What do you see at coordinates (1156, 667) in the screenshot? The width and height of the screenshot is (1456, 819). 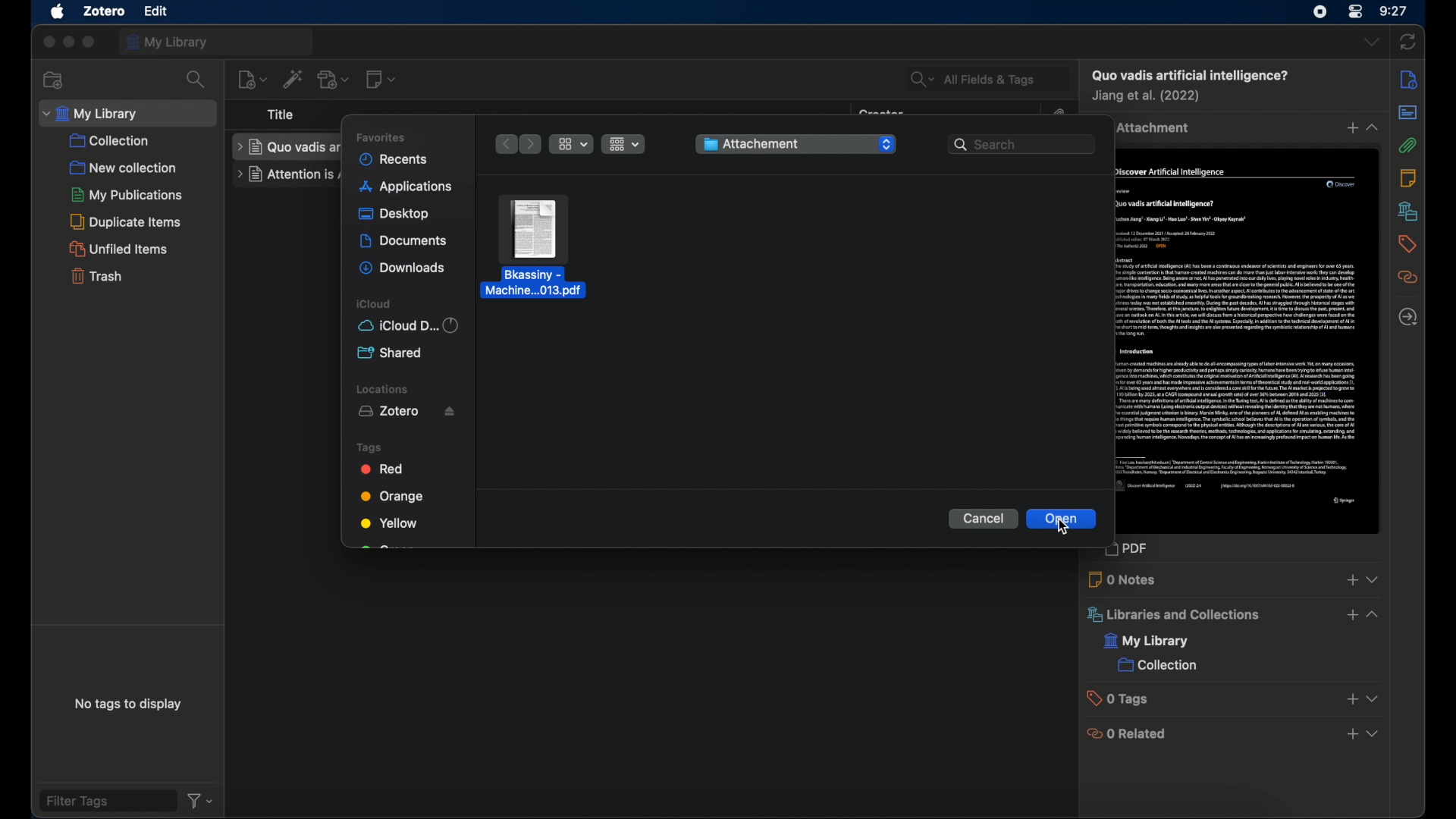 I see `collection` at bounding box center [1156, 667].